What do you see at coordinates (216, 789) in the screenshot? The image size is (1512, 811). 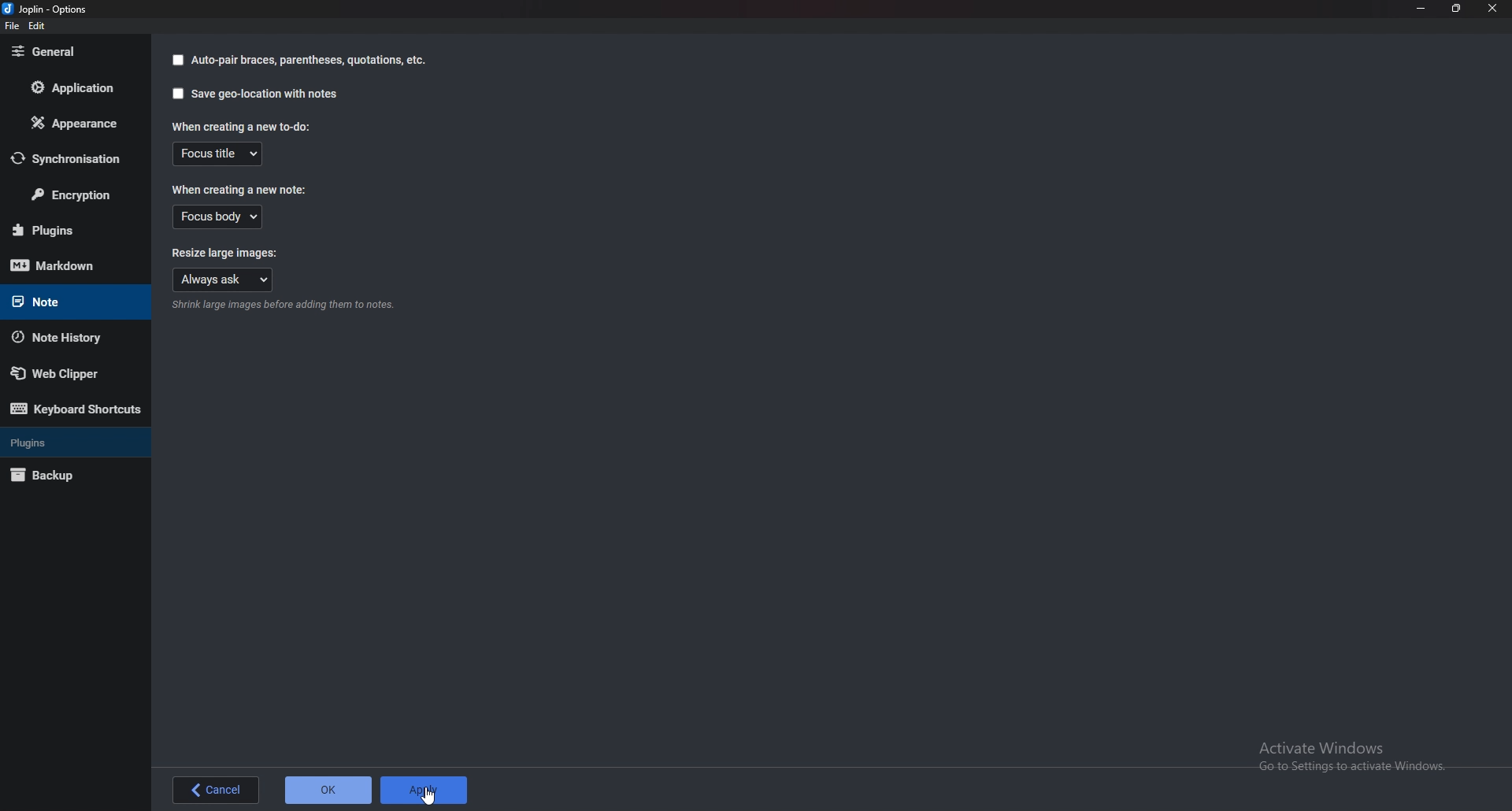 I see `Back` at bounding box center [216, 789].